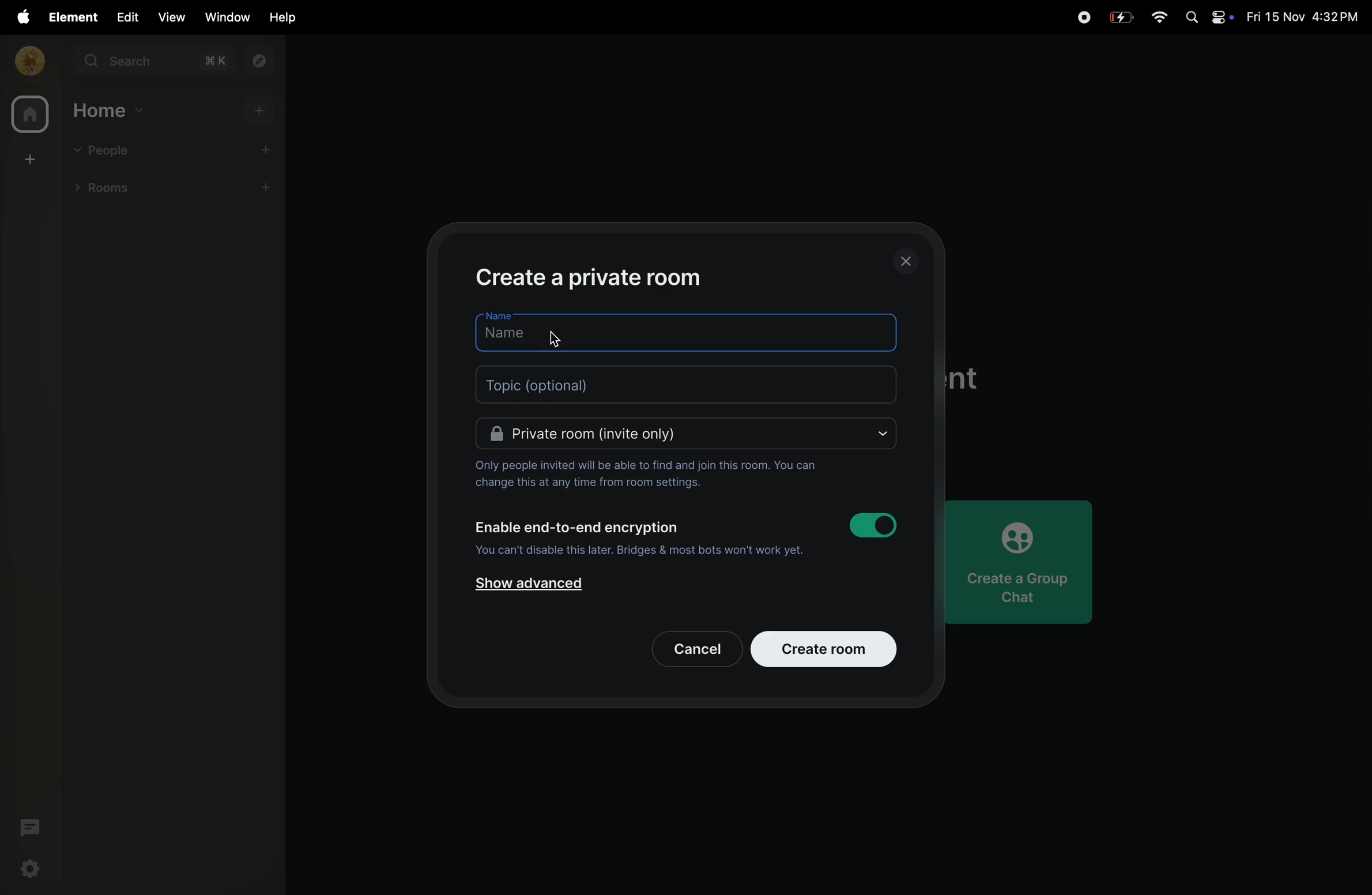  What do you see at coordinates (825, 648) in the screenshot?
I see `create room` at bounding box center [825, 648].